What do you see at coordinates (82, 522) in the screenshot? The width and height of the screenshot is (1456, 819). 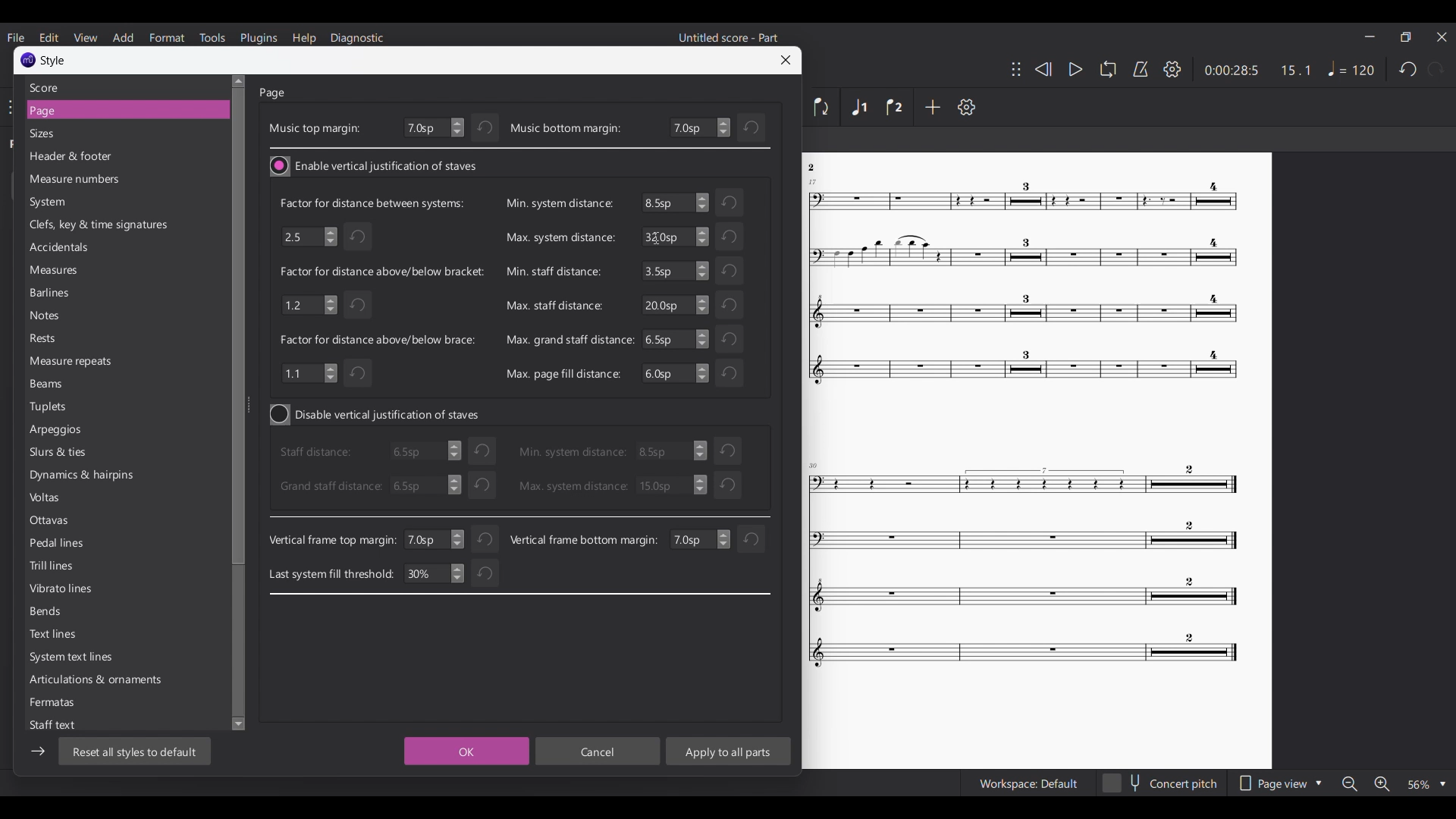 I see `Ottavas` at bounding box center [82, 522].